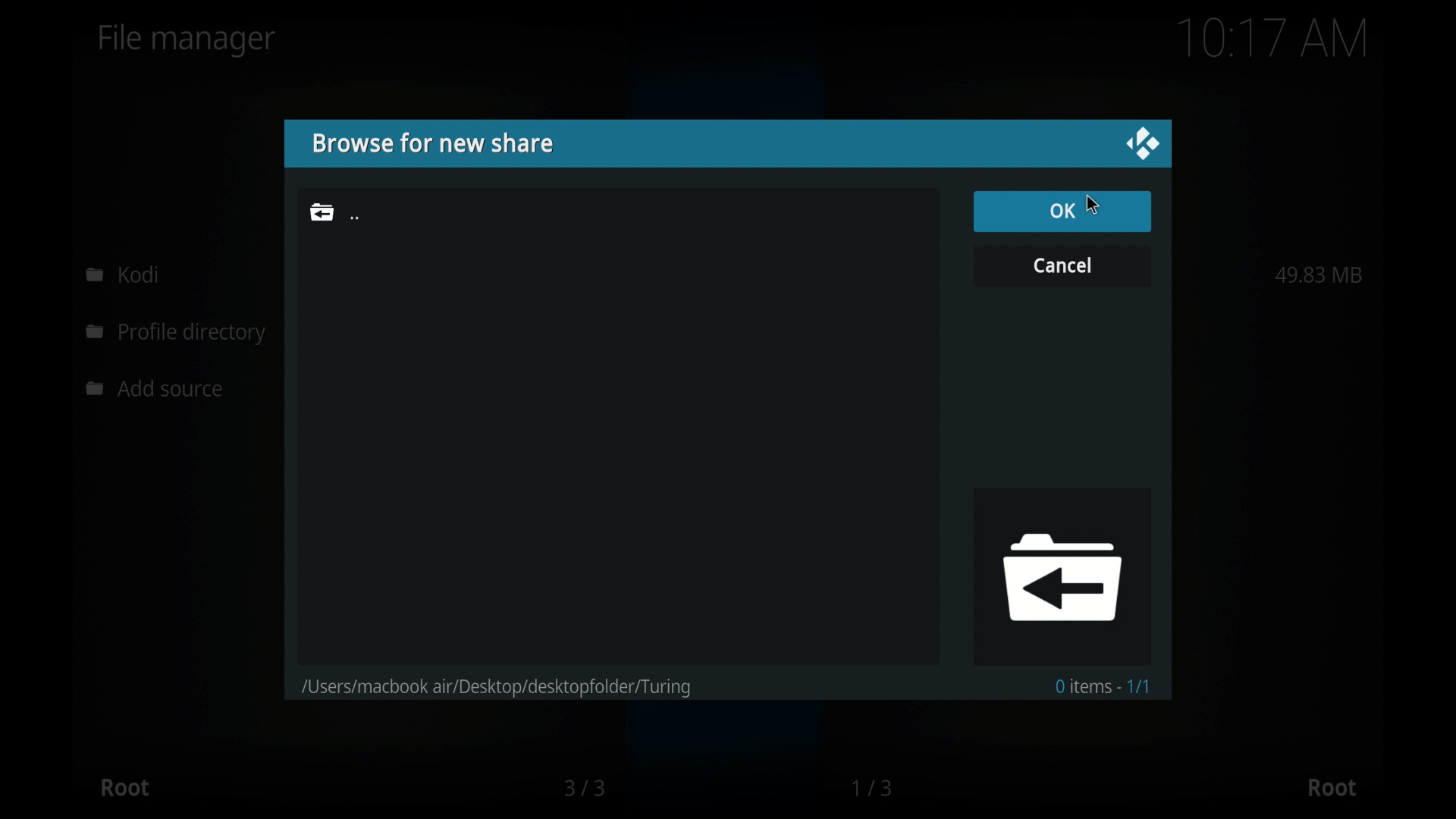  I want to click on 10.16 am, so click(1273, 38).